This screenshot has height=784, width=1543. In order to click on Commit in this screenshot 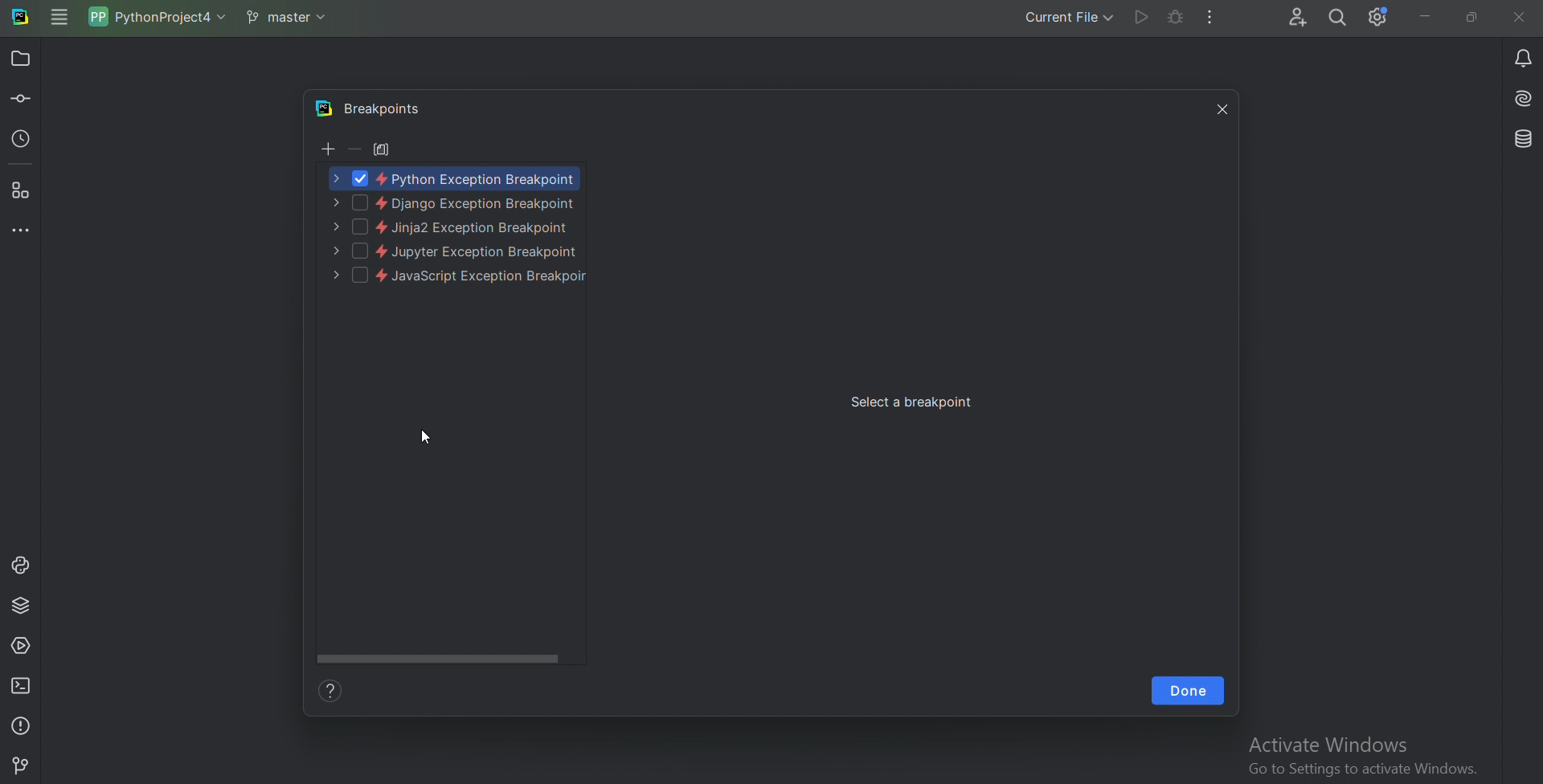, I will do `click(22, 100)`.